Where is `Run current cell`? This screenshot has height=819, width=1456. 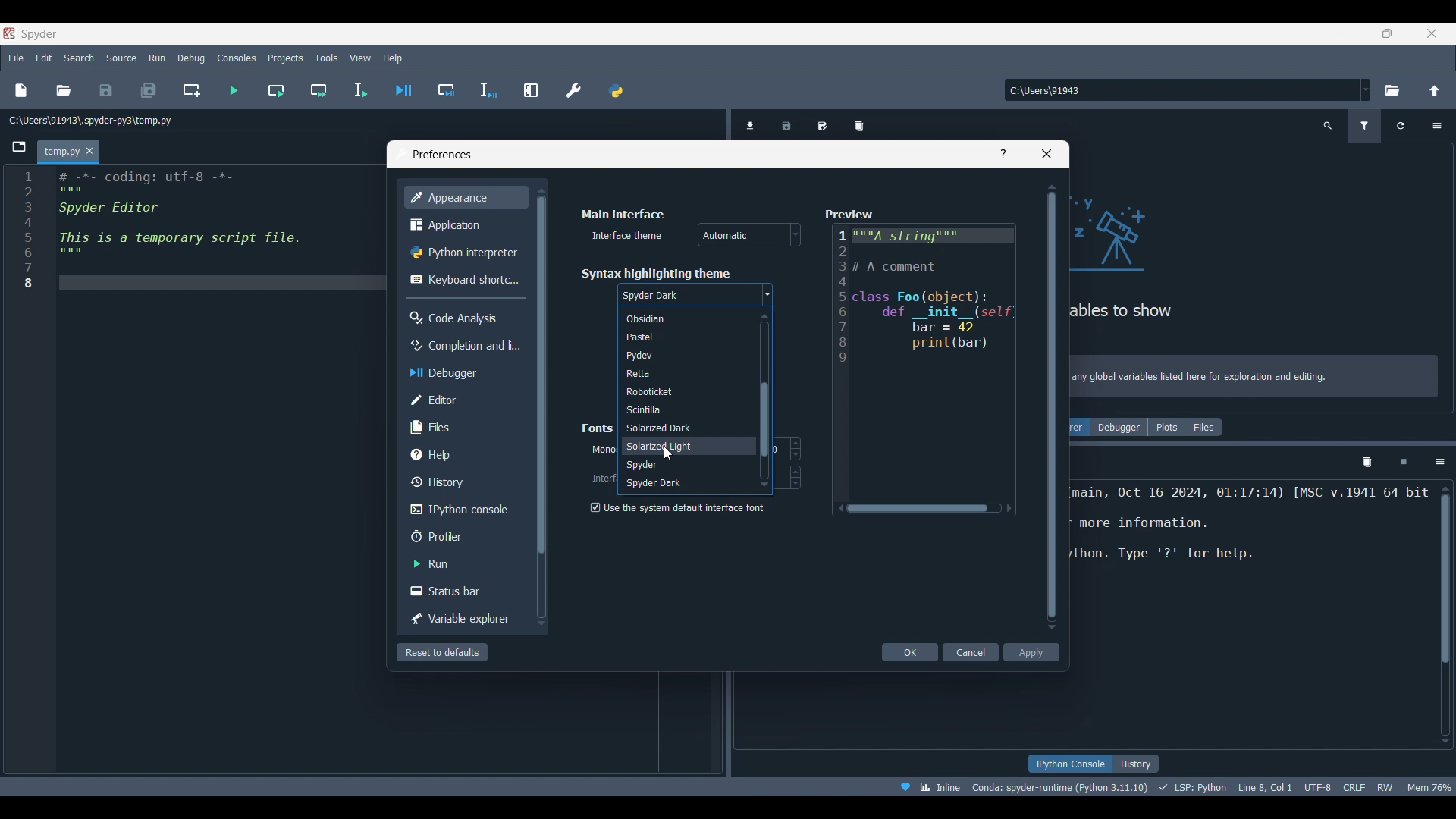 Run current cell is located at coordinates (275, 90).